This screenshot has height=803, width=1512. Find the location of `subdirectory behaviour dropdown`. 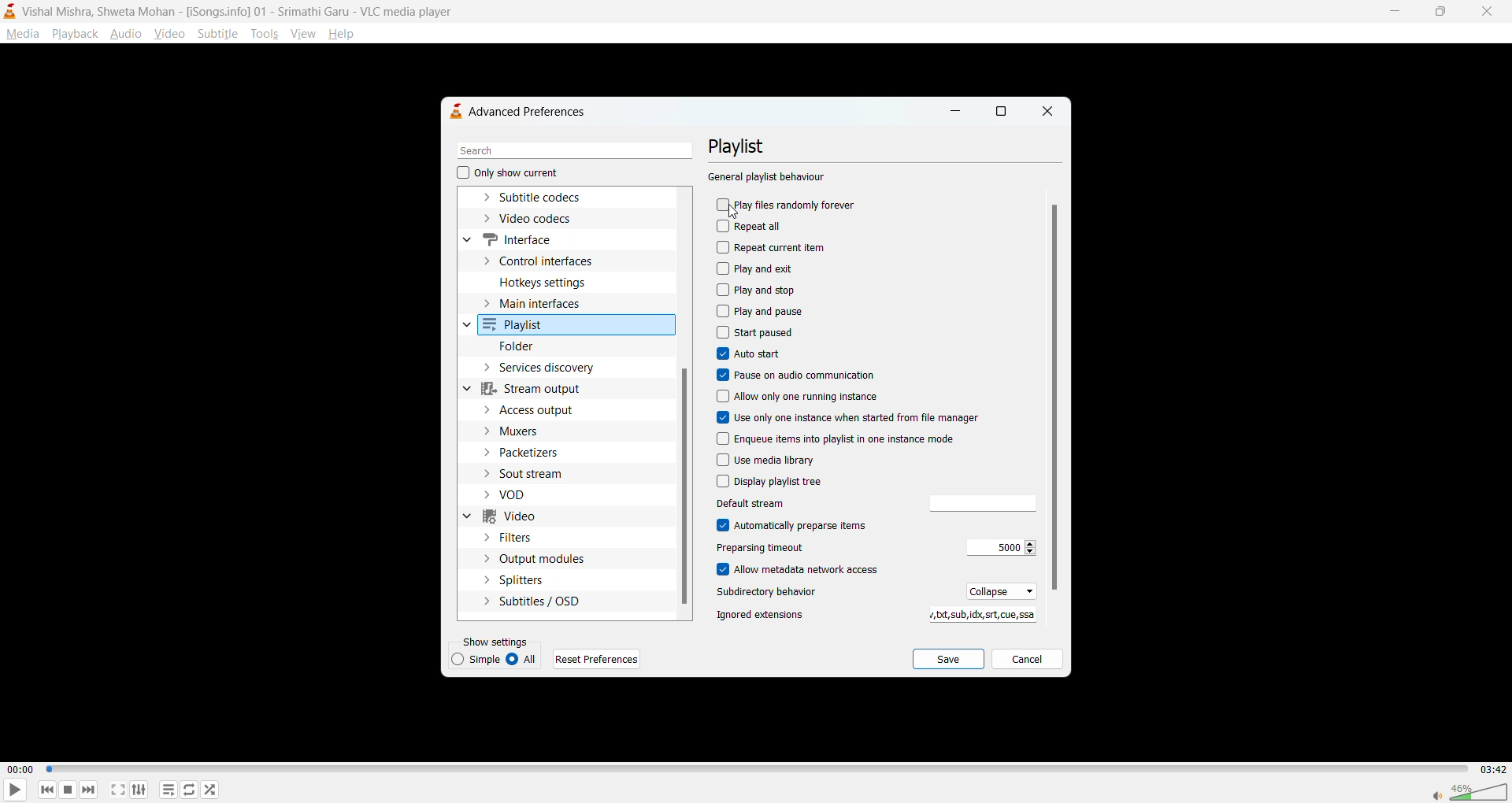

subdirectory behaviour dropdown is located at coordinates (997, 590).